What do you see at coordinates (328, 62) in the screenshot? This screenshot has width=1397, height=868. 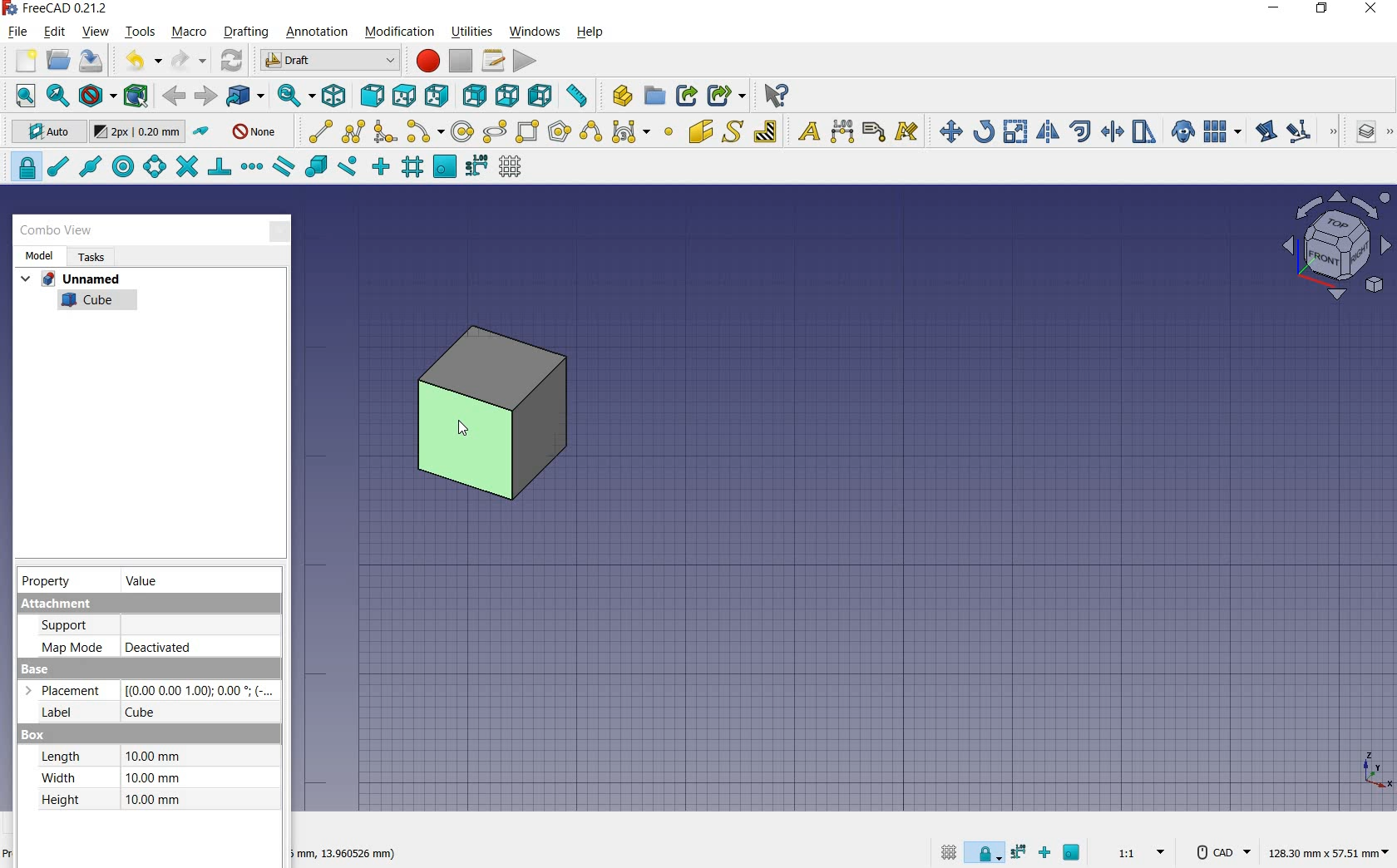 I see `switch between workbenches` at bounding box center [328, 62].